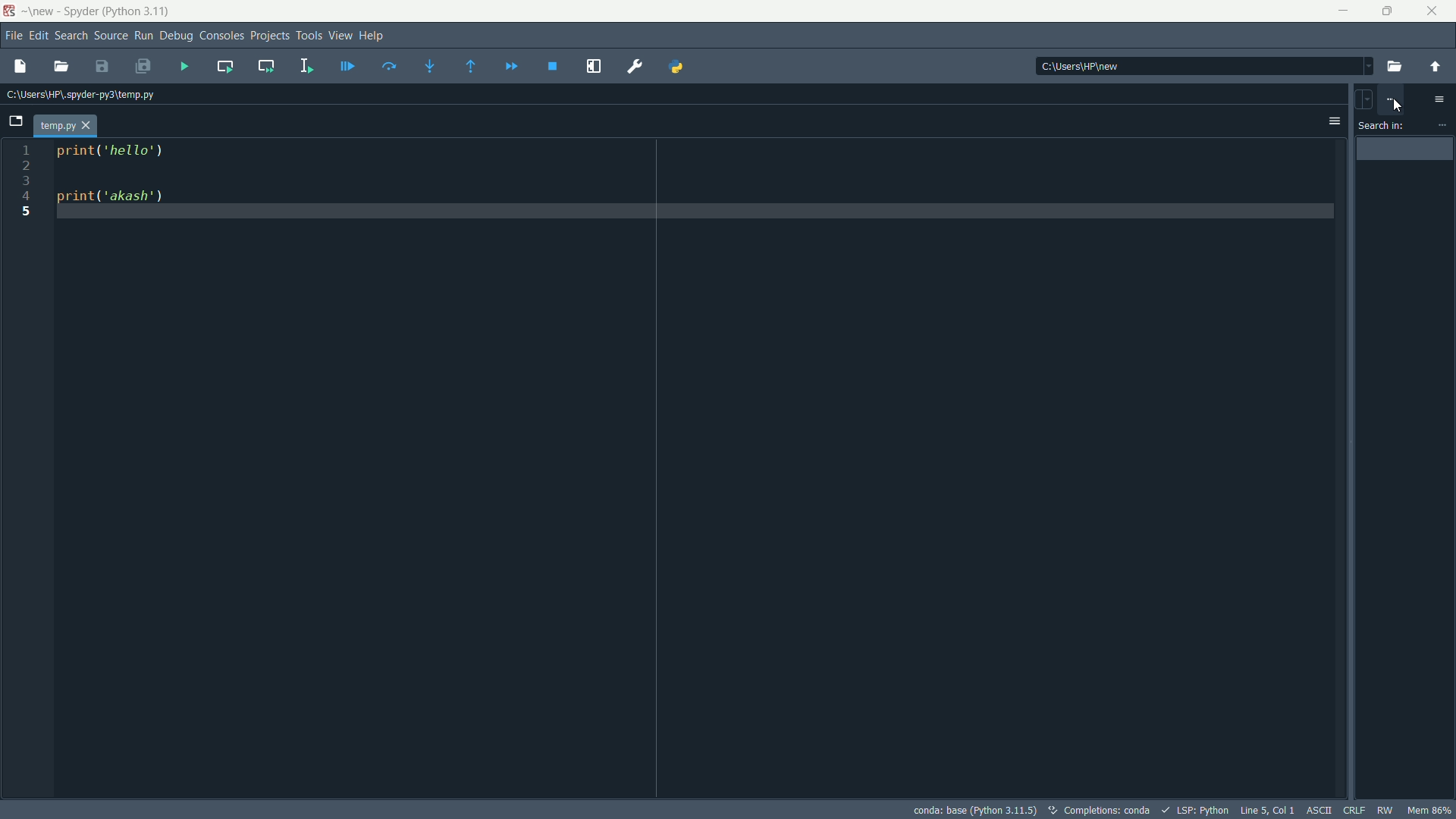 This screenshot has width=1456, height=819. I want to click on run current cell, so click(226, 67).